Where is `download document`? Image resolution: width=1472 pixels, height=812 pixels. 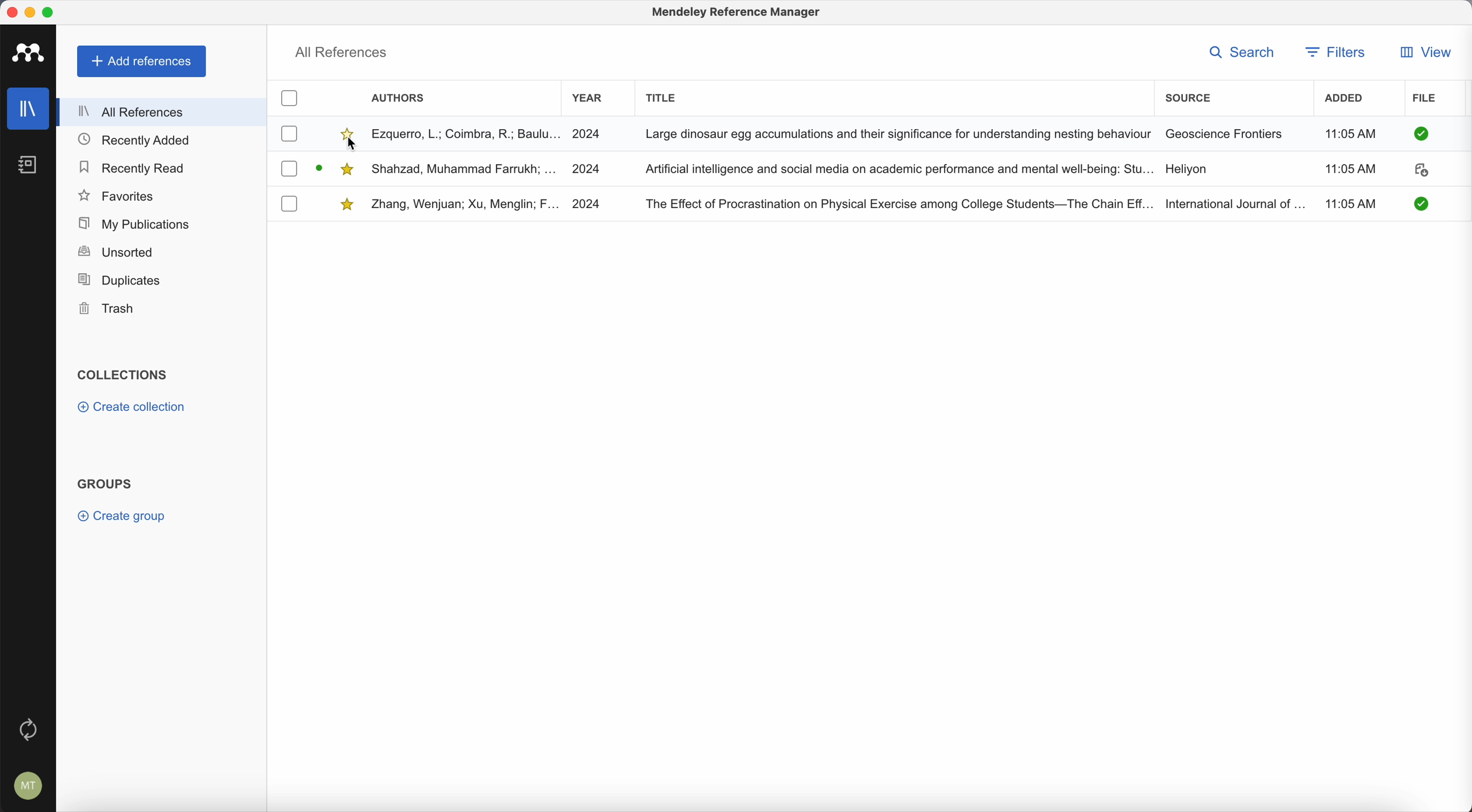
download document is located at coordinates (321, 166).